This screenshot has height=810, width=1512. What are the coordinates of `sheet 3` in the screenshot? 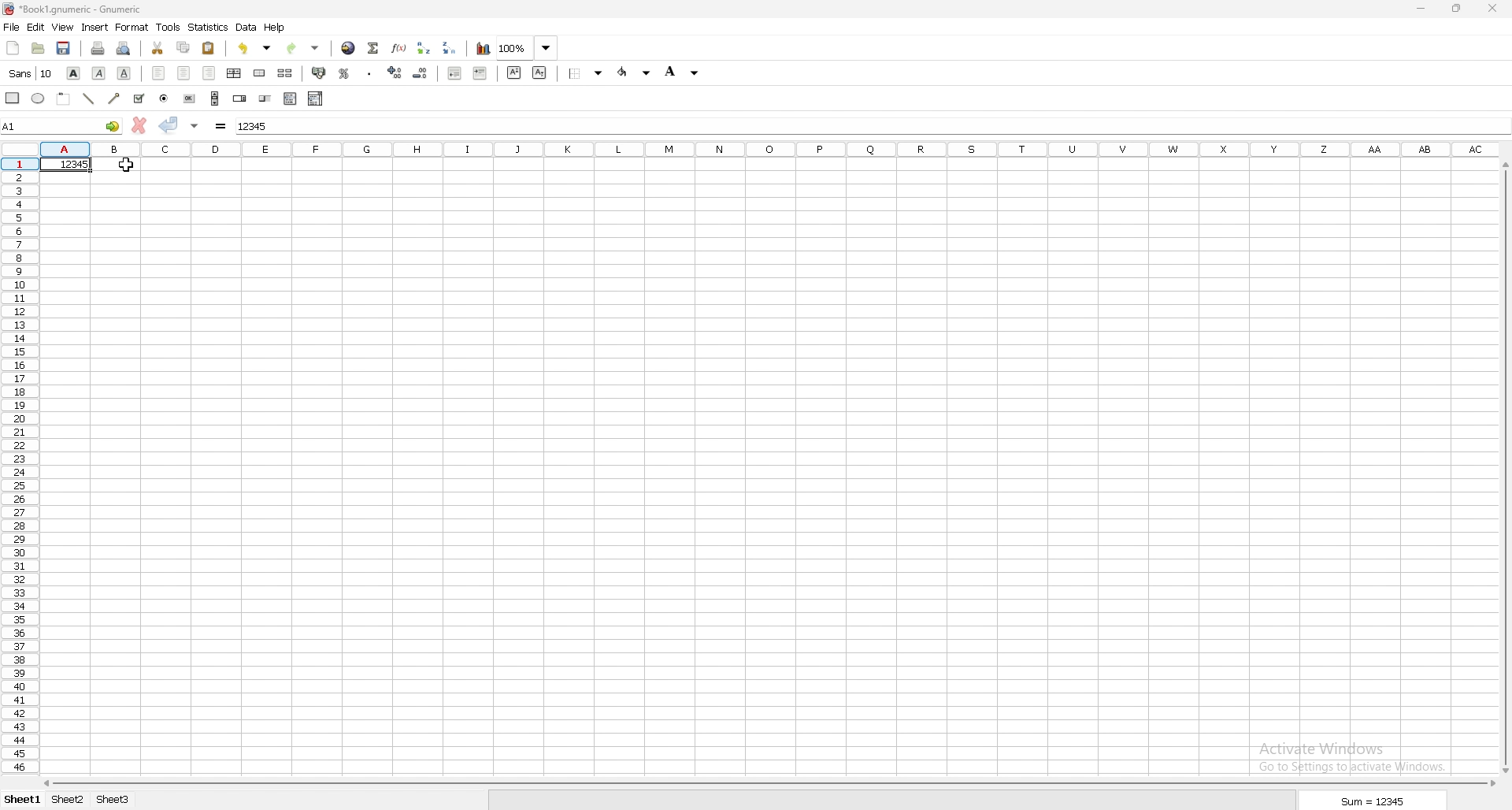 It's located at (113, 800).